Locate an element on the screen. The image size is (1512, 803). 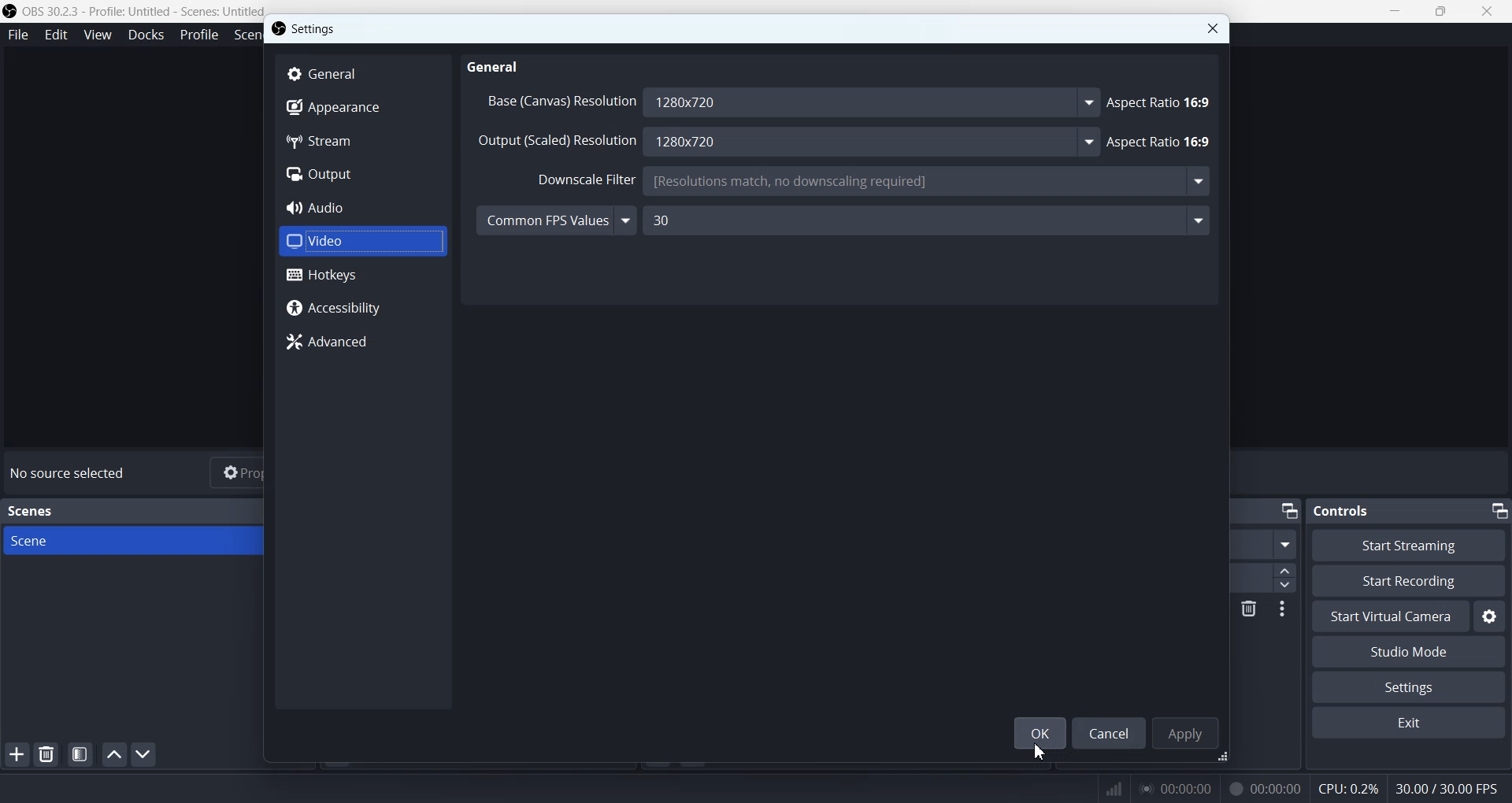
Minimize is located at coordinates (1498, 509).